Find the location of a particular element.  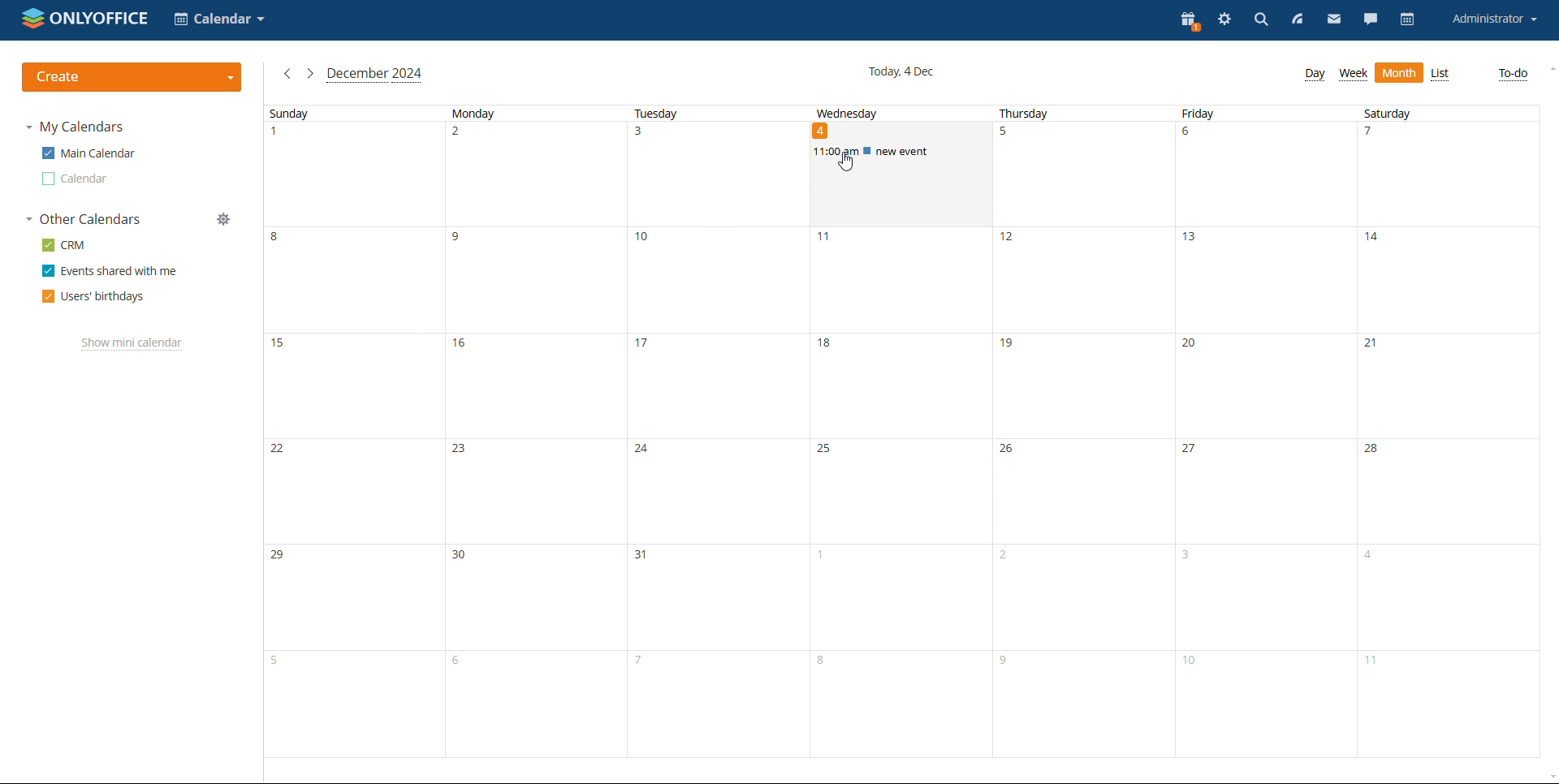

chat is located at coordinates (1371, 21).